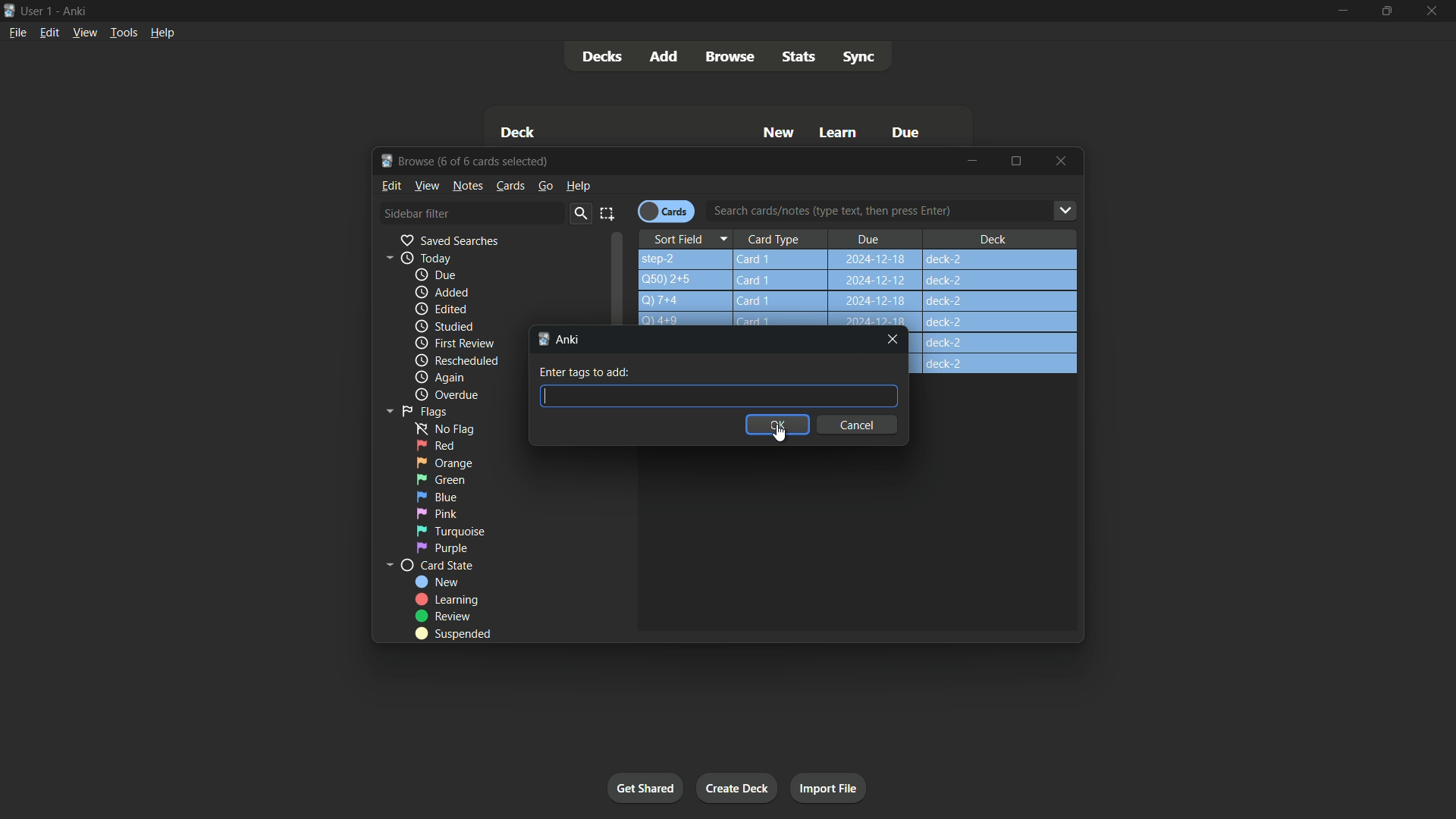 Image resolution: width=1456 pixels, height=819 pixels. I want to click on deck-2, so click(998, 353).